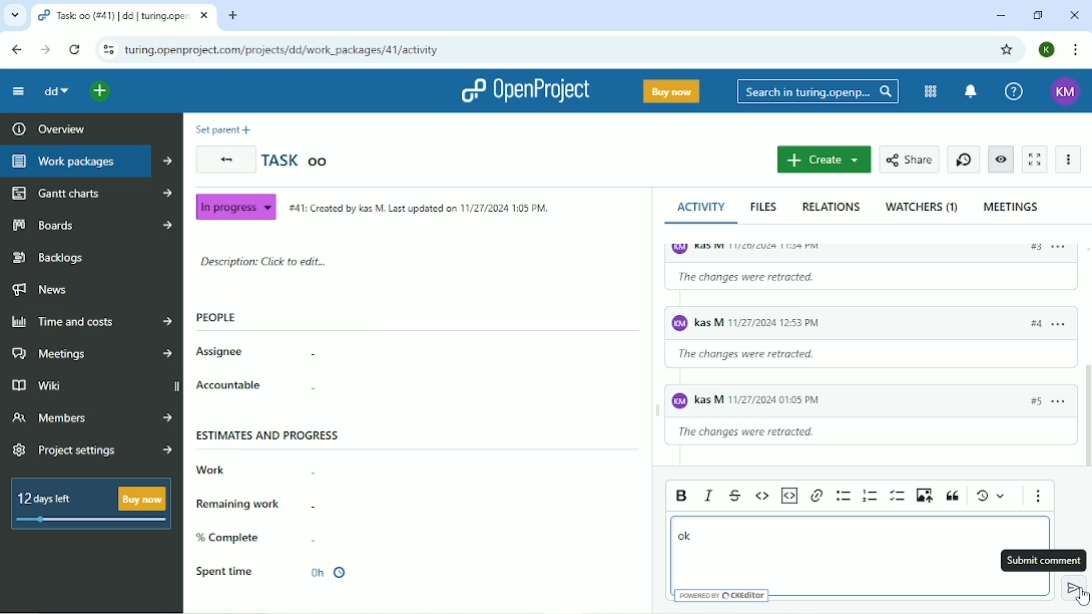  I want to click on #41: Created by Kas M. Last updated on 11/27/2024 1:05 PM, so click(417, 207).